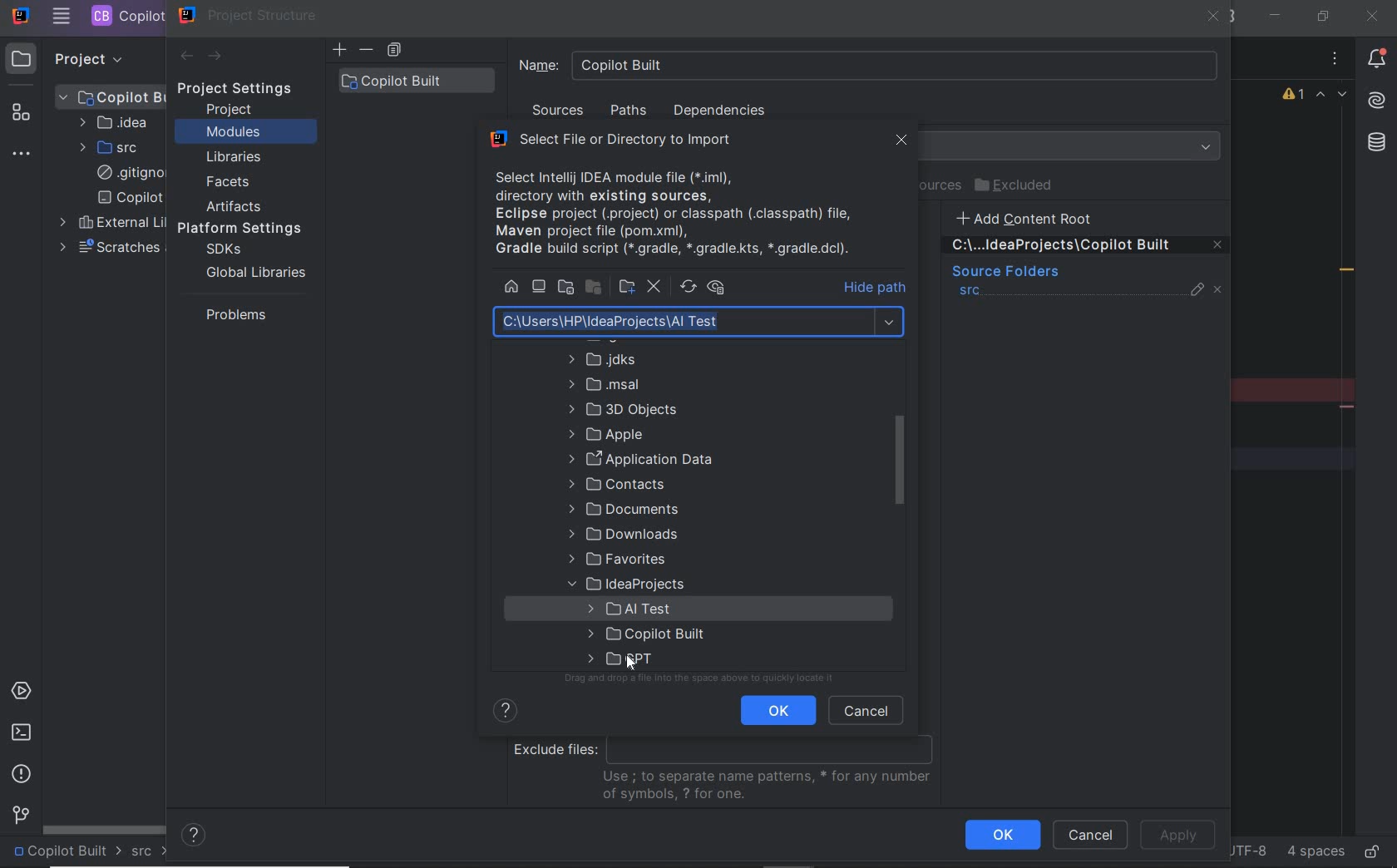 This screenshot has height=868, width=1397. I want to click on scrollbar, so click(900, 461).